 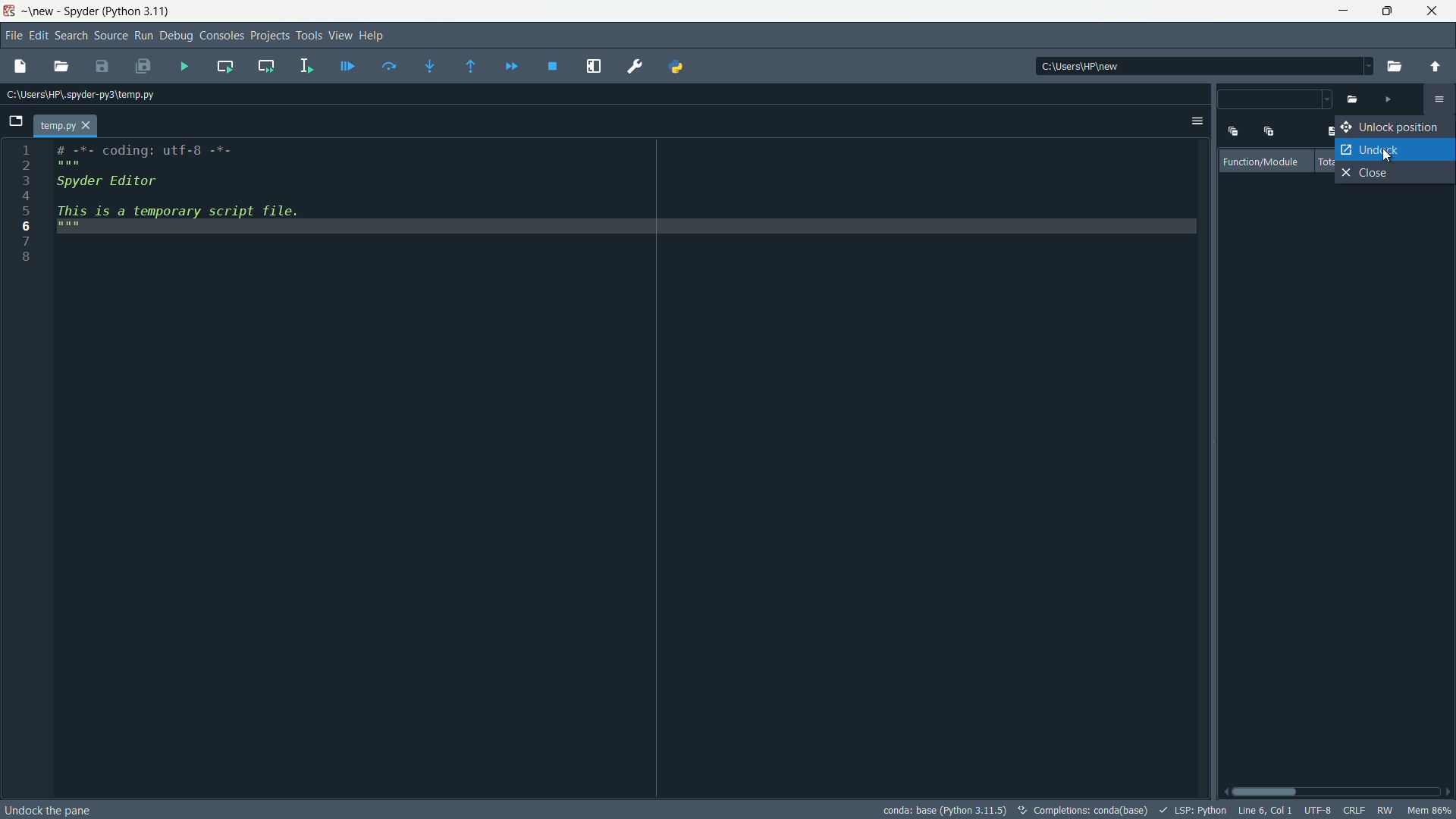 I want to click on collapse one level up, so click(x=1232, y=130).